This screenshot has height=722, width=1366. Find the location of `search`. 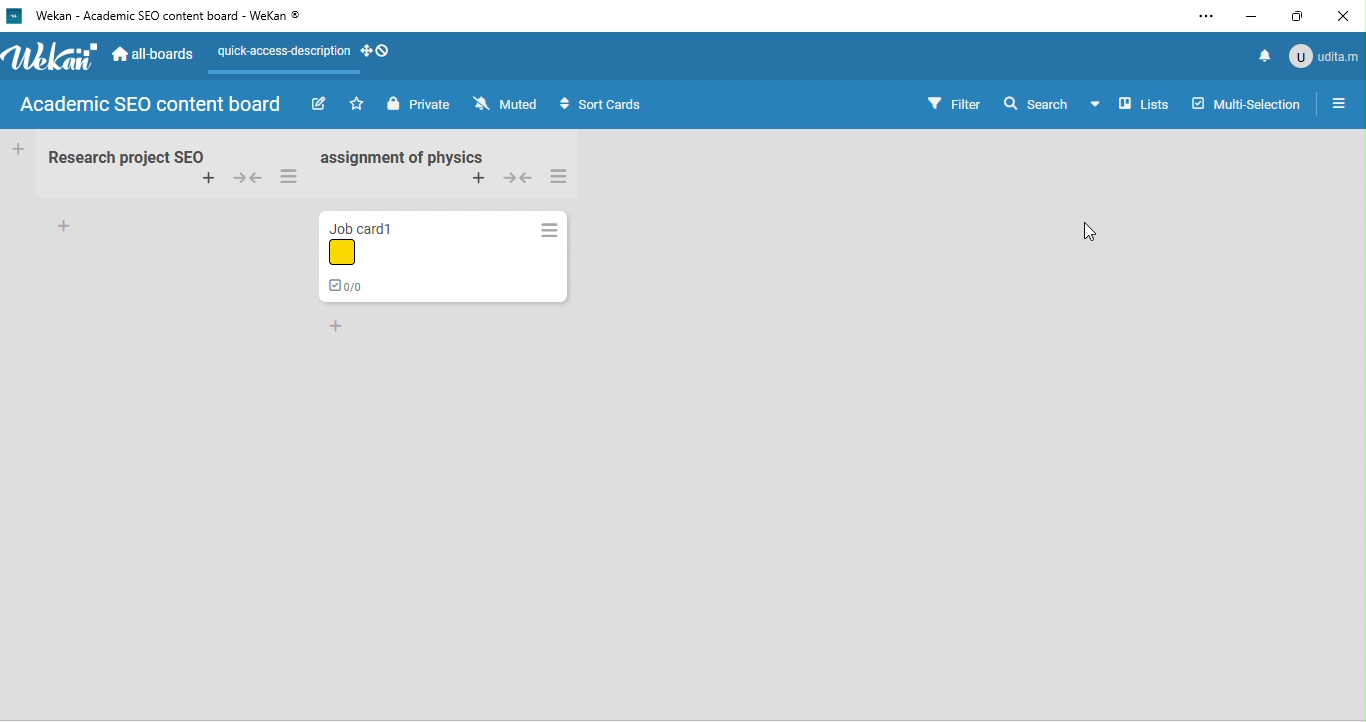

search is located at coordinates (1033, 103).